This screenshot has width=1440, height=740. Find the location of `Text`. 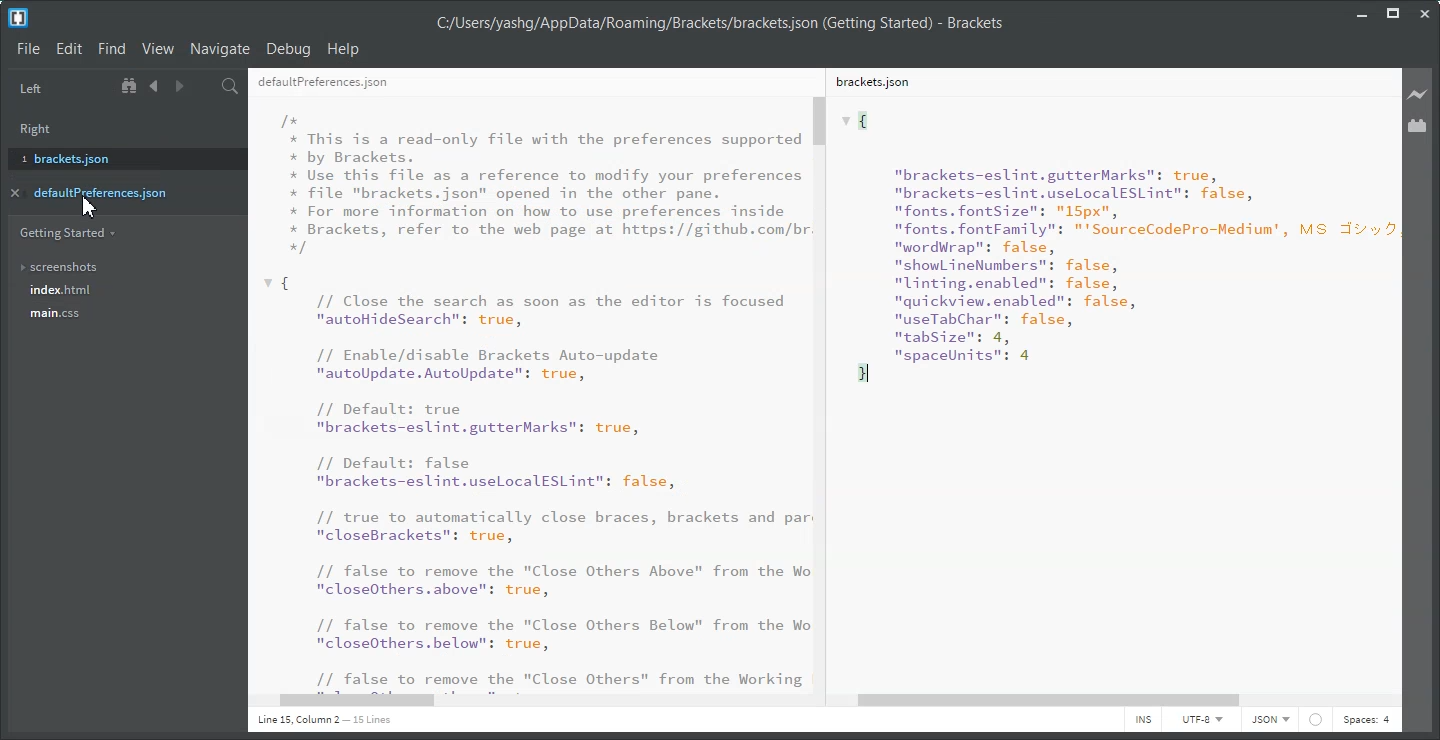

Text is located at coordinates (526, 393).